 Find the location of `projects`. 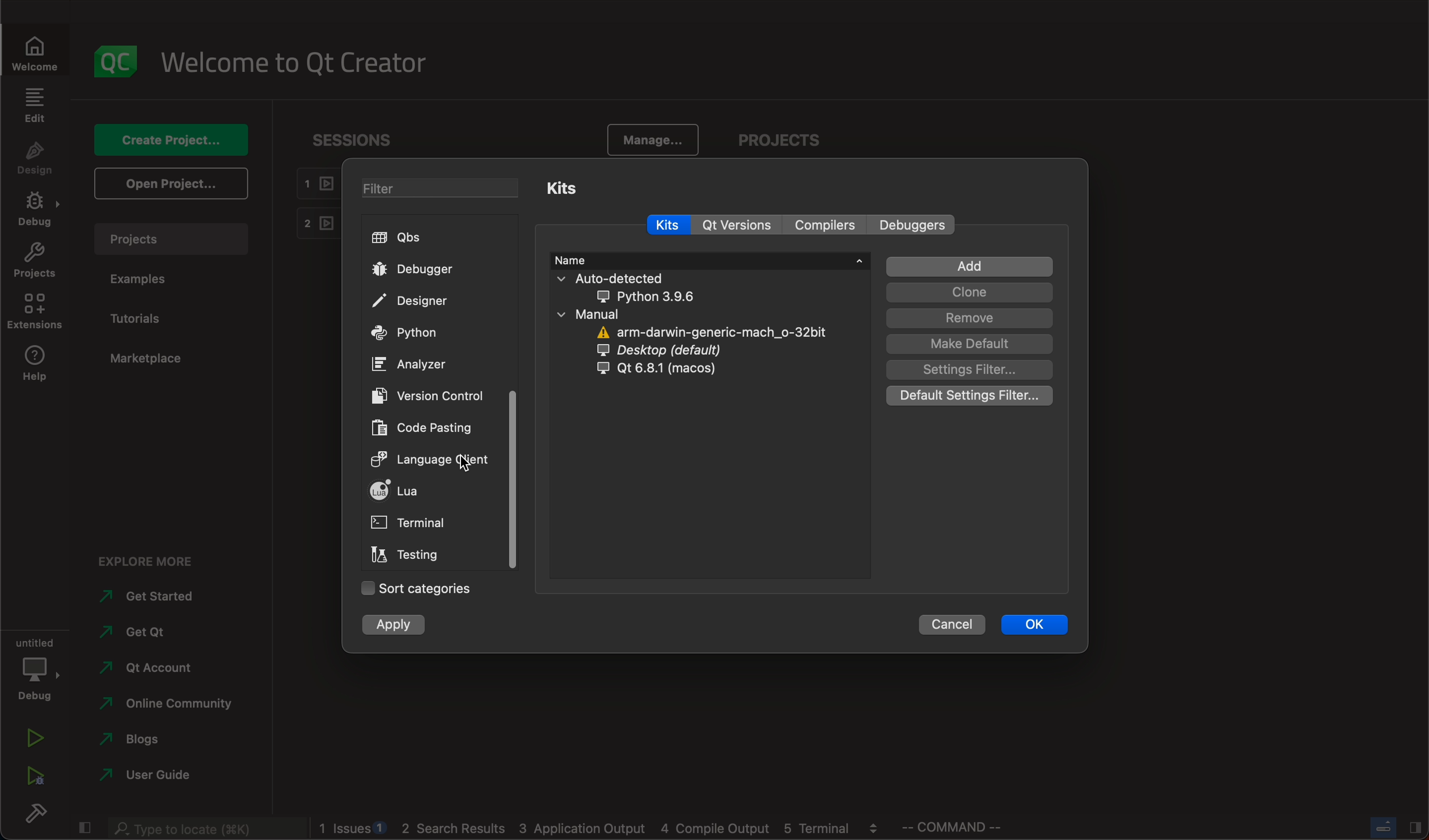

projects is located at coordinates (171, 239).